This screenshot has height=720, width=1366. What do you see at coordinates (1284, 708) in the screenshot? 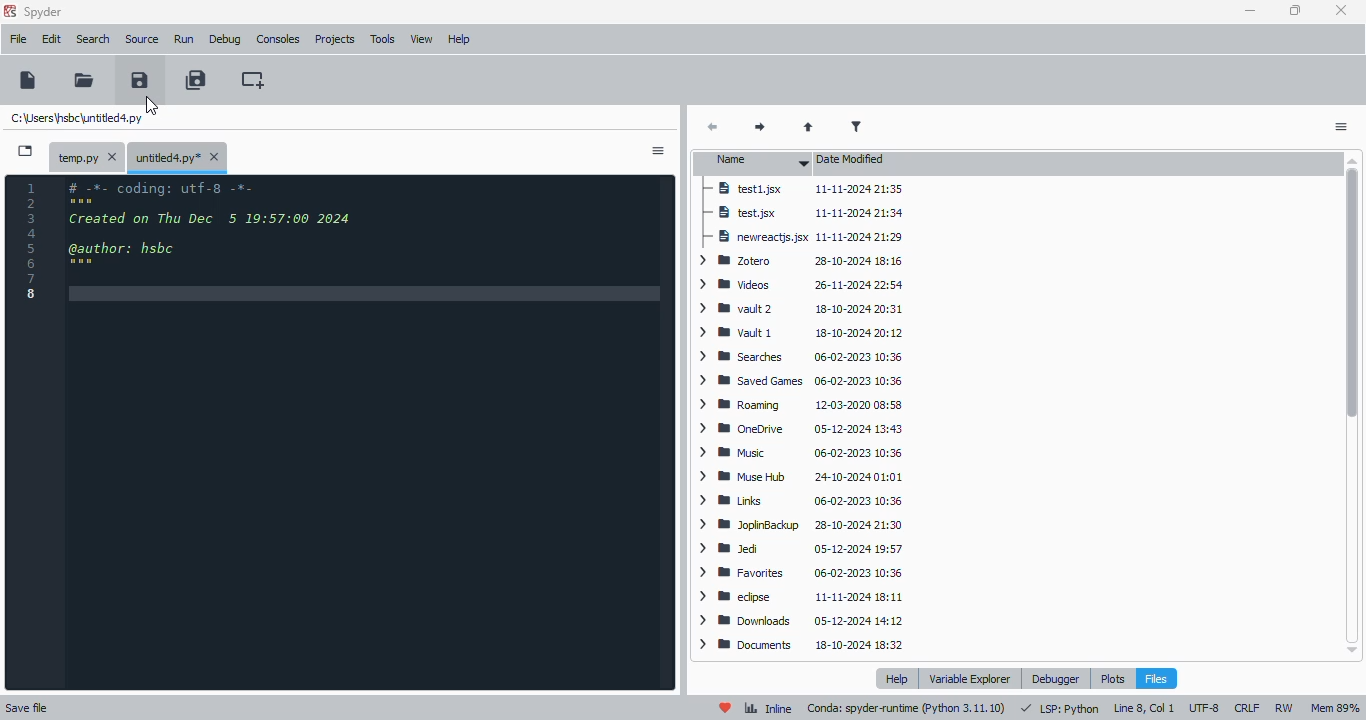
I see `RW` at bounding box center [1284, 708].